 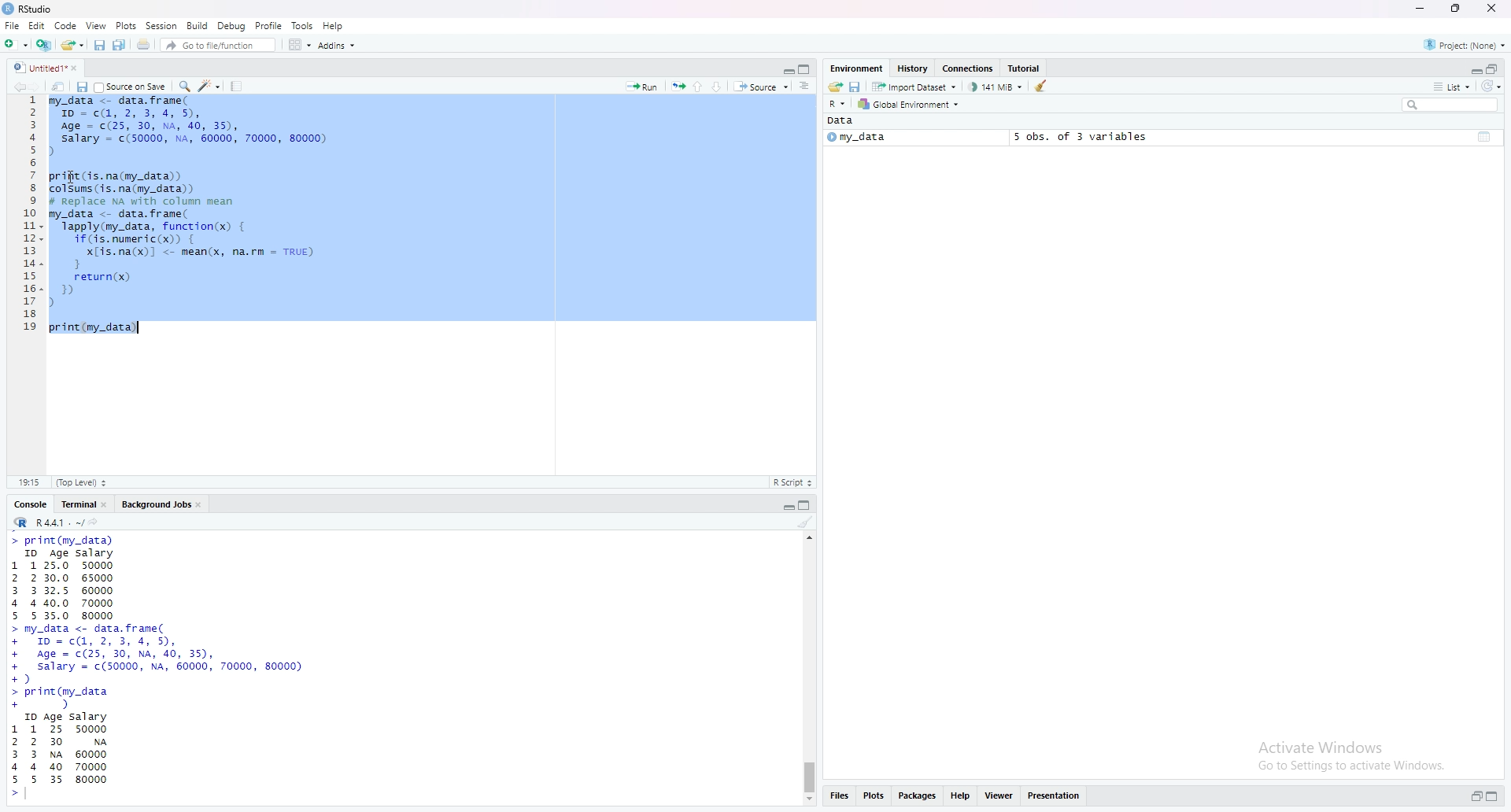 I want to click on code tools, so click(x=209, y=85).